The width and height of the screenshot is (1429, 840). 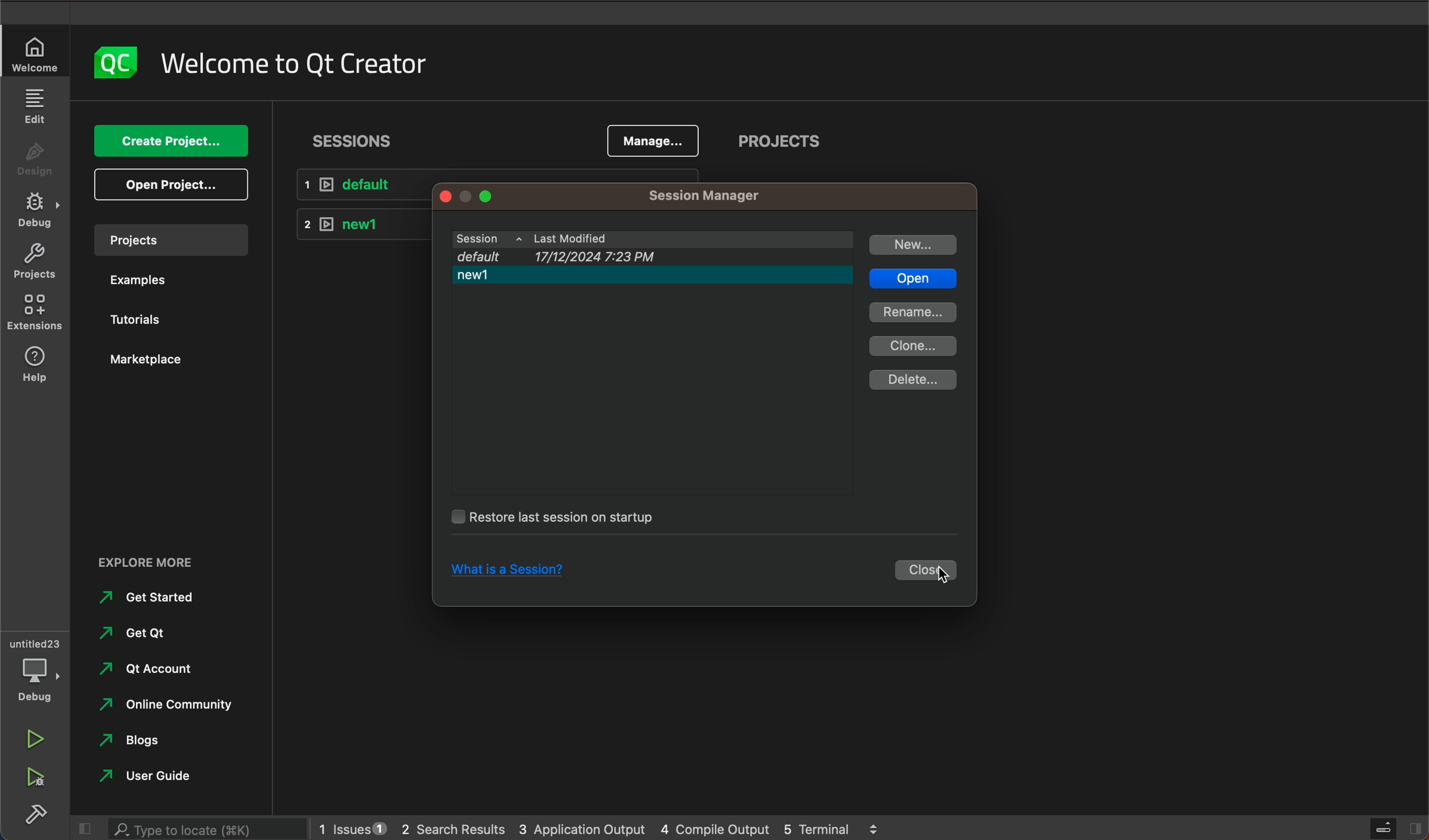 What do you see at coordinates (38, 211) in the screenshot?
I see `debug` at bounding box center [38, 211].